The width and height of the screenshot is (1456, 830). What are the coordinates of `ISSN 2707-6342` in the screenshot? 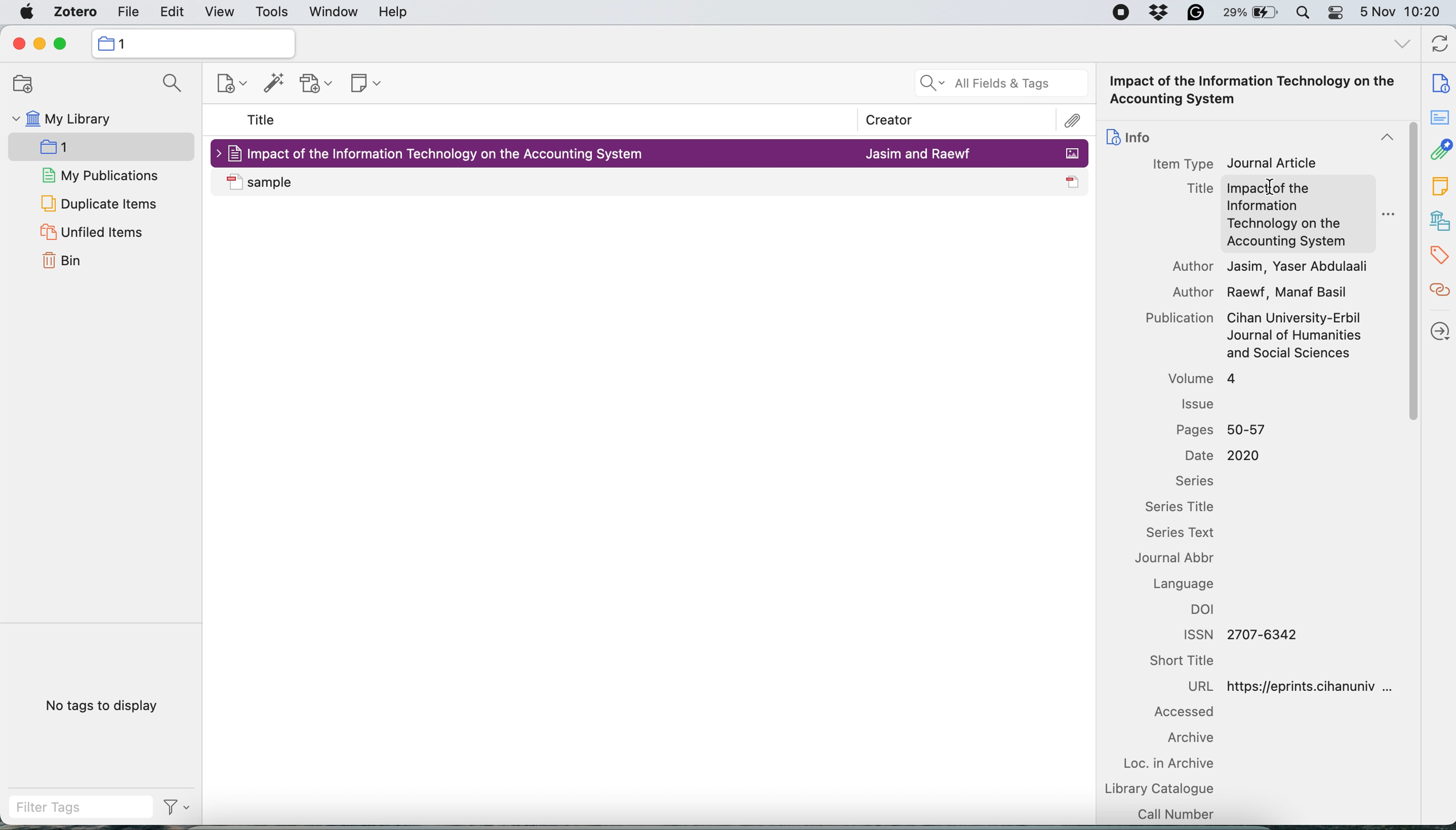 It's located at (1244, 634).